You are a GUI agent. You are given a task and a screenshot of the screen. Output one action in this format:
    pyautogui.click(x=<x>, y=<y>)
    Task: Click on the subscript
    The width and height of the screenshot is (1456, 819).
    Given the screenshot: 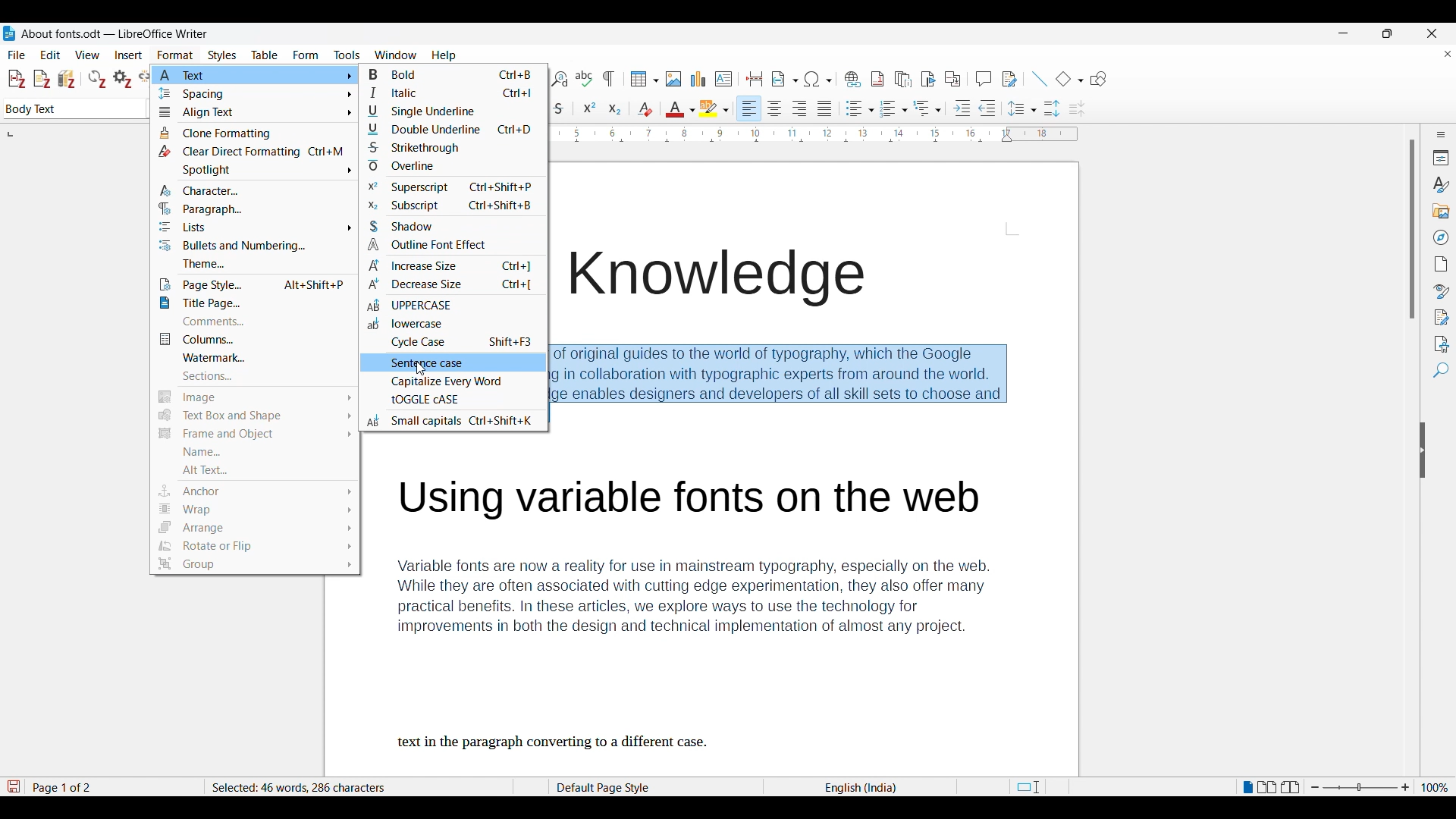 What is the action you would take?
    pyautogui.click(x=449, y=207)
    